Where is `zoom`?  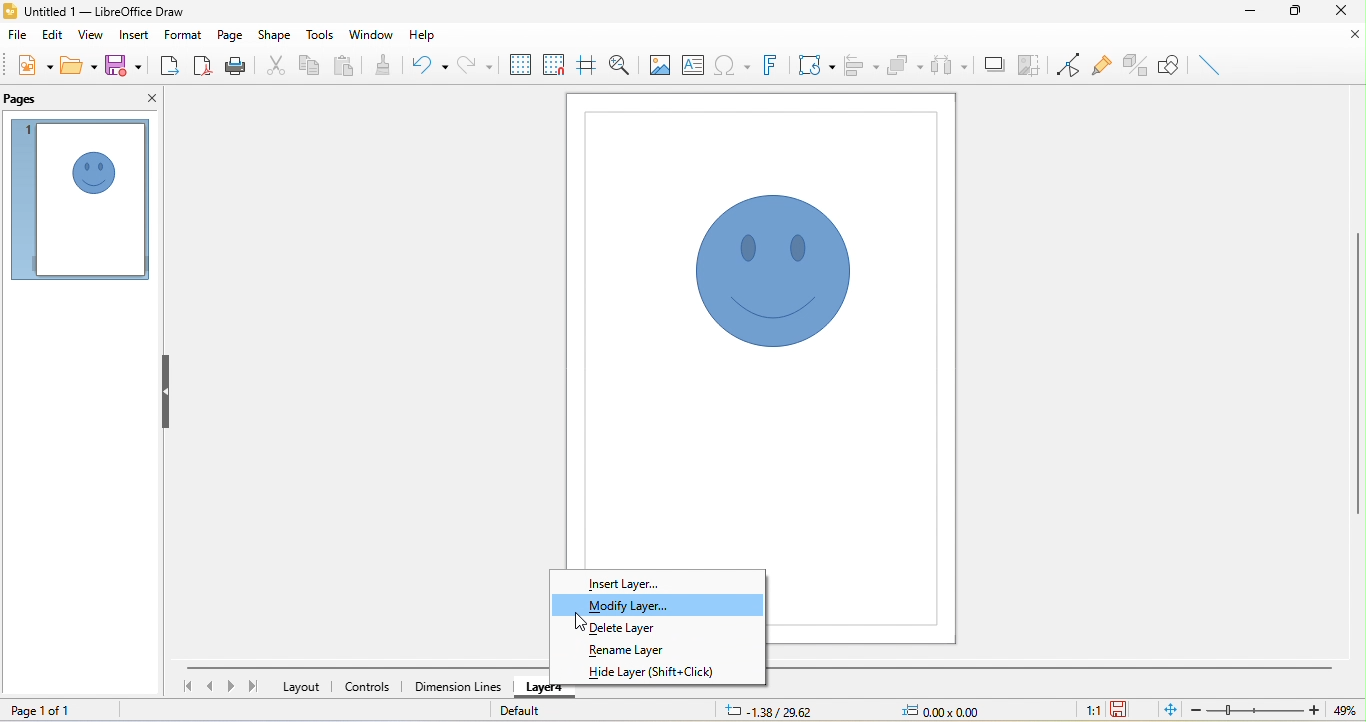 zoom is located at coordinates (1254, 710).